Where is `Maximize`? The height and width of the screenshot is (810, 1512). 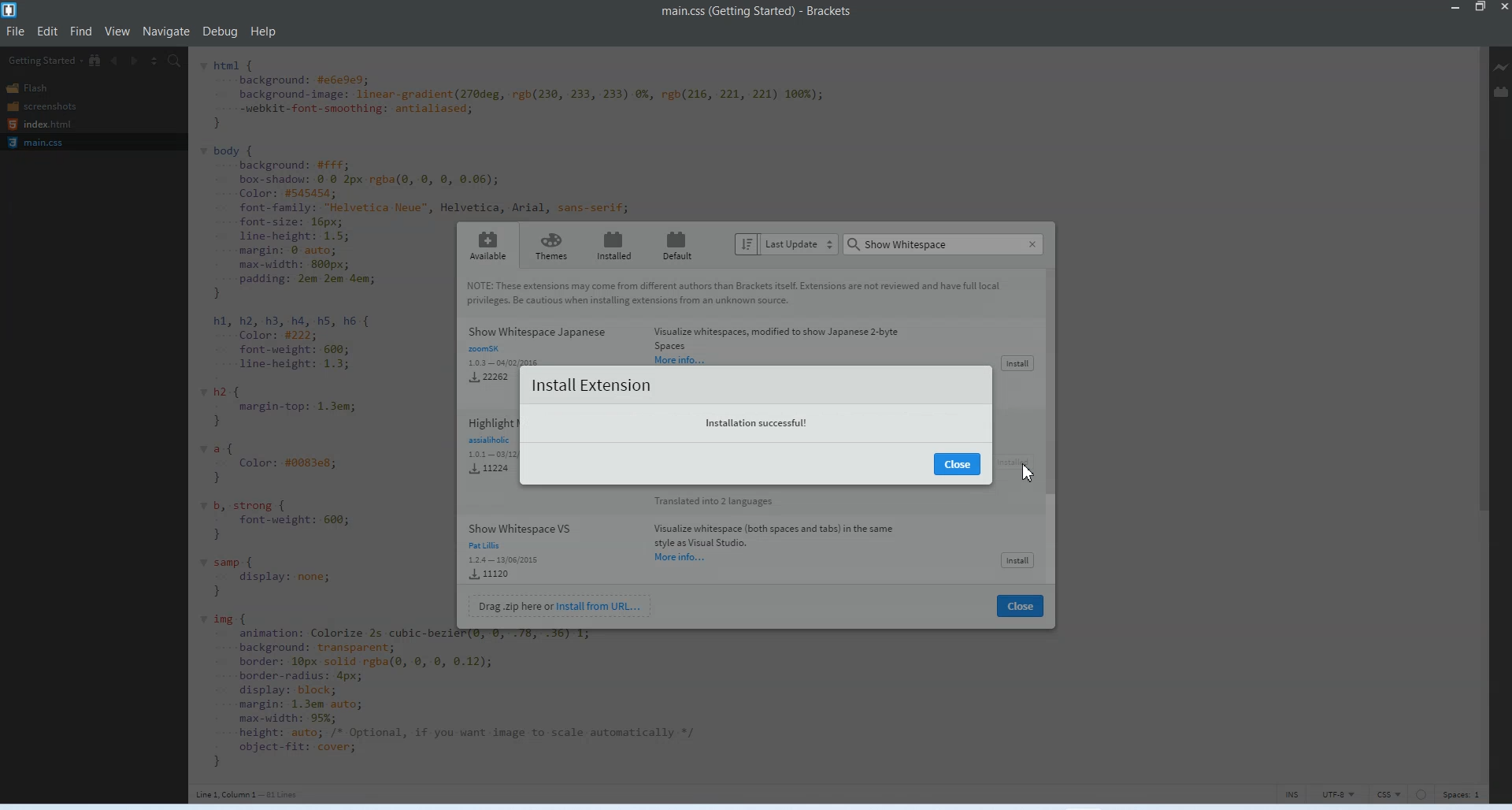
Maximize is located at coordinates (1480, 8).